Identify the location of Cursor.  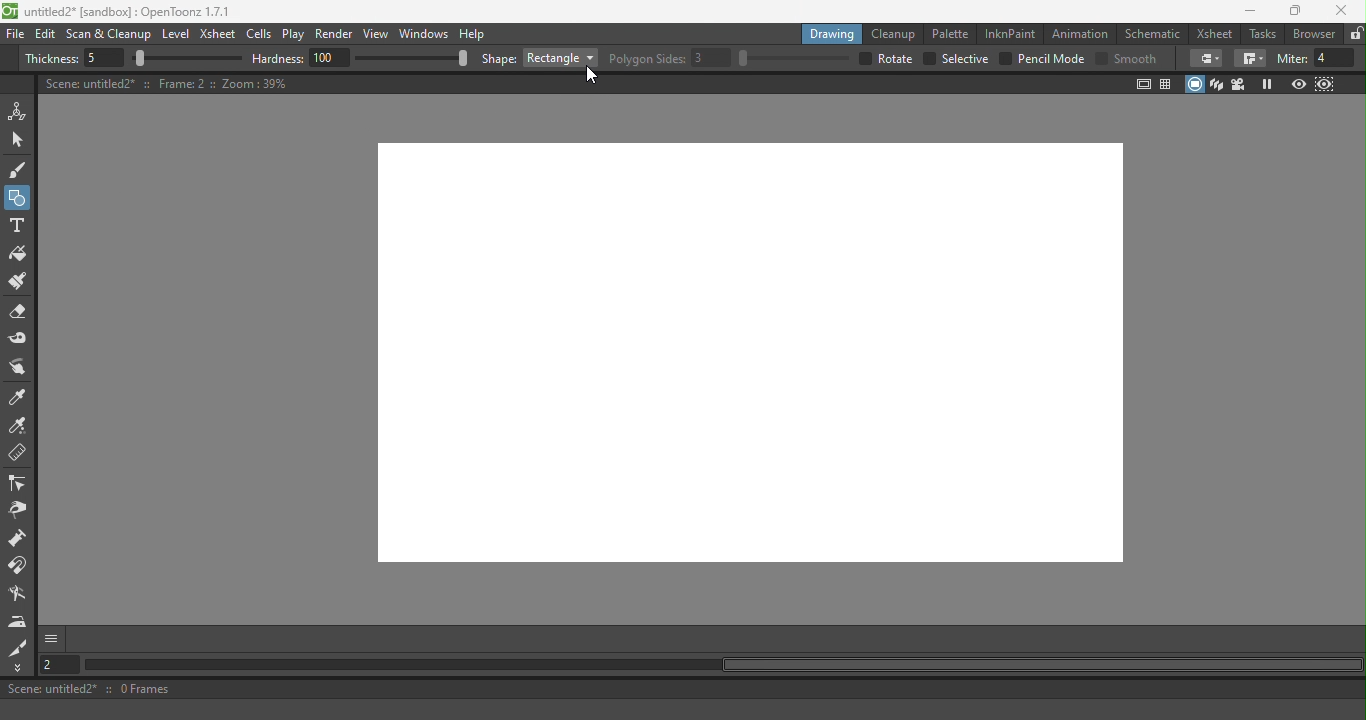
(591, 76).